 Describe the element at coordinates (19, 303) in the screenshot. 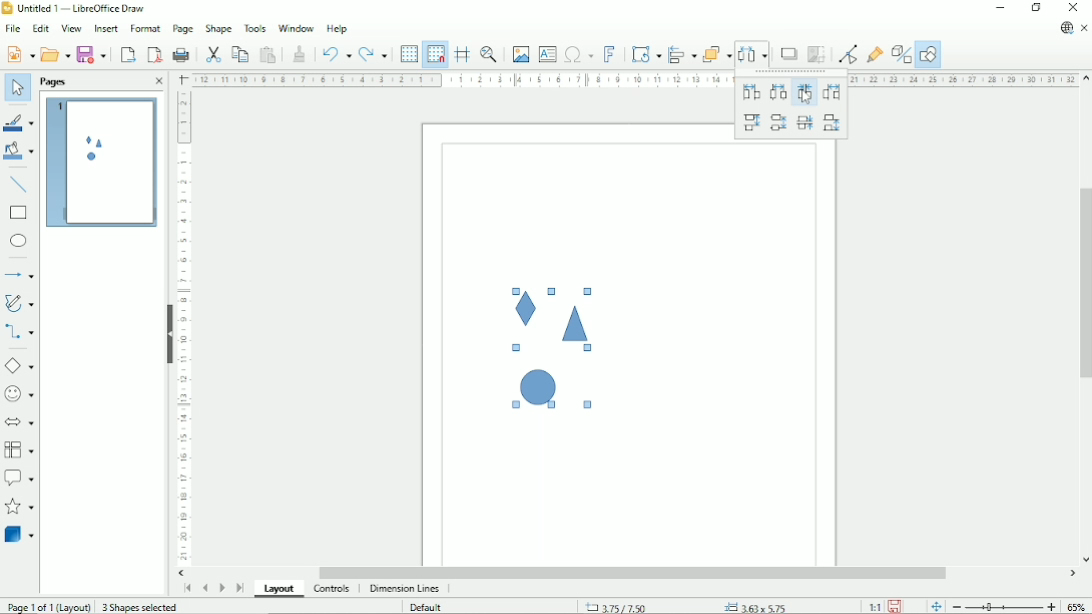

I see `Curves and polygons` at that location.